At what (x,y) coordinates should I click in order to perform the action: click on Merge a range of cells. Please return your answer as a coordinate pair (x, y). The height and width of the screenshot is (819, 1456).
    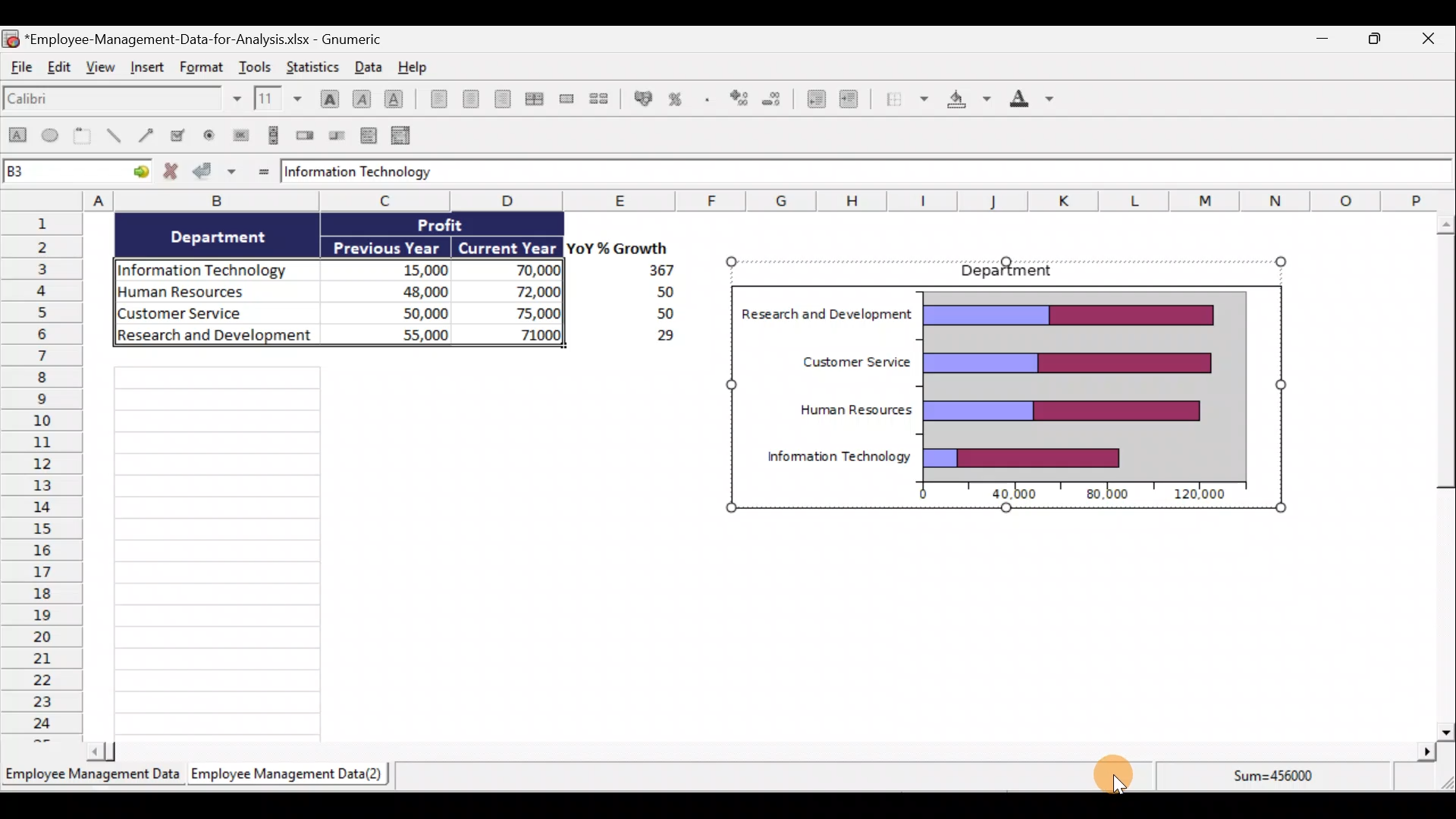
    Looking at the image, I should click on (570, 99).